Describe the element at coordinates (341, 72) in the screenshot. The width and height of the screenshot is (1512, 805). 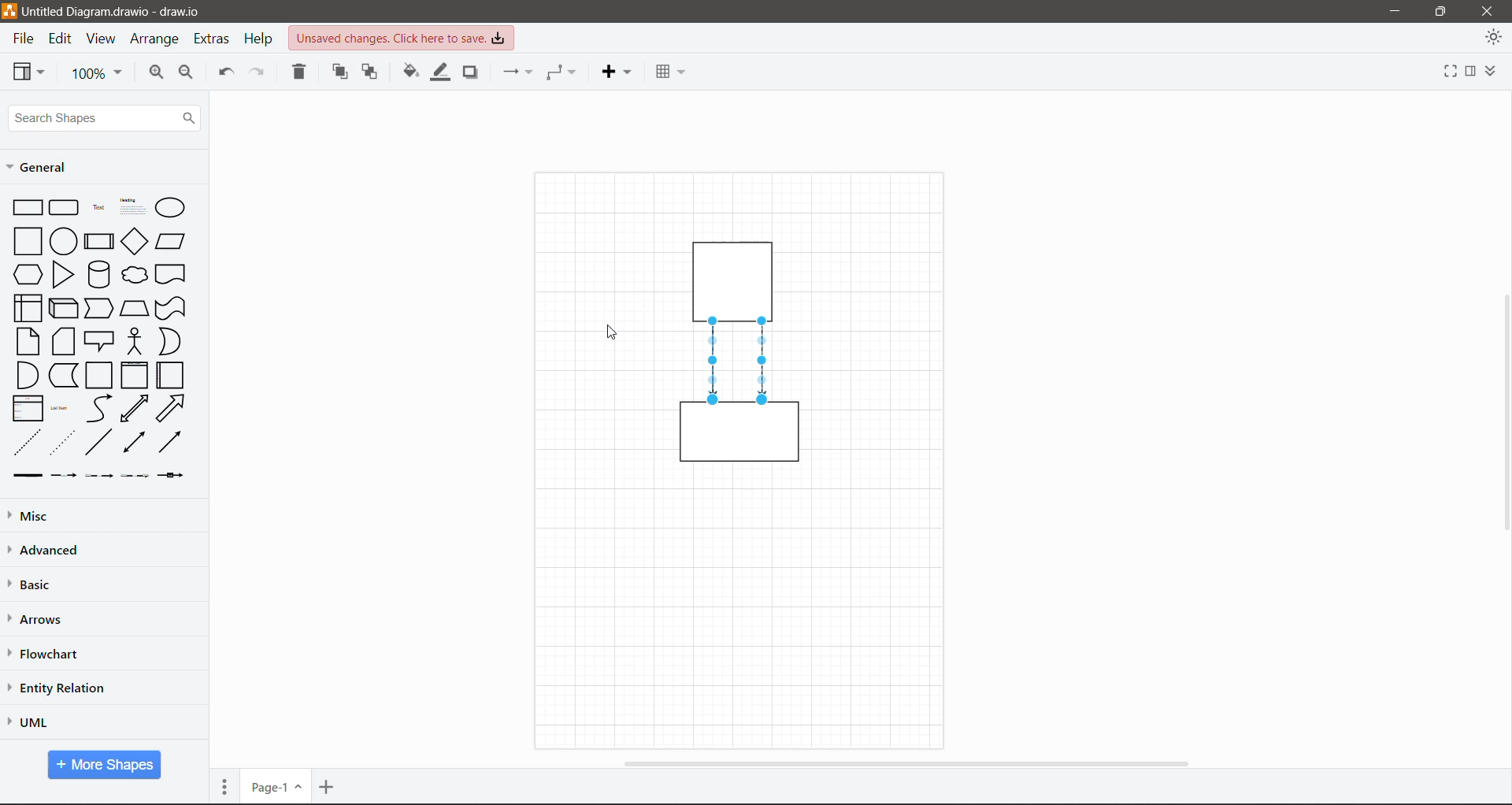
I see `To Front` at that location.